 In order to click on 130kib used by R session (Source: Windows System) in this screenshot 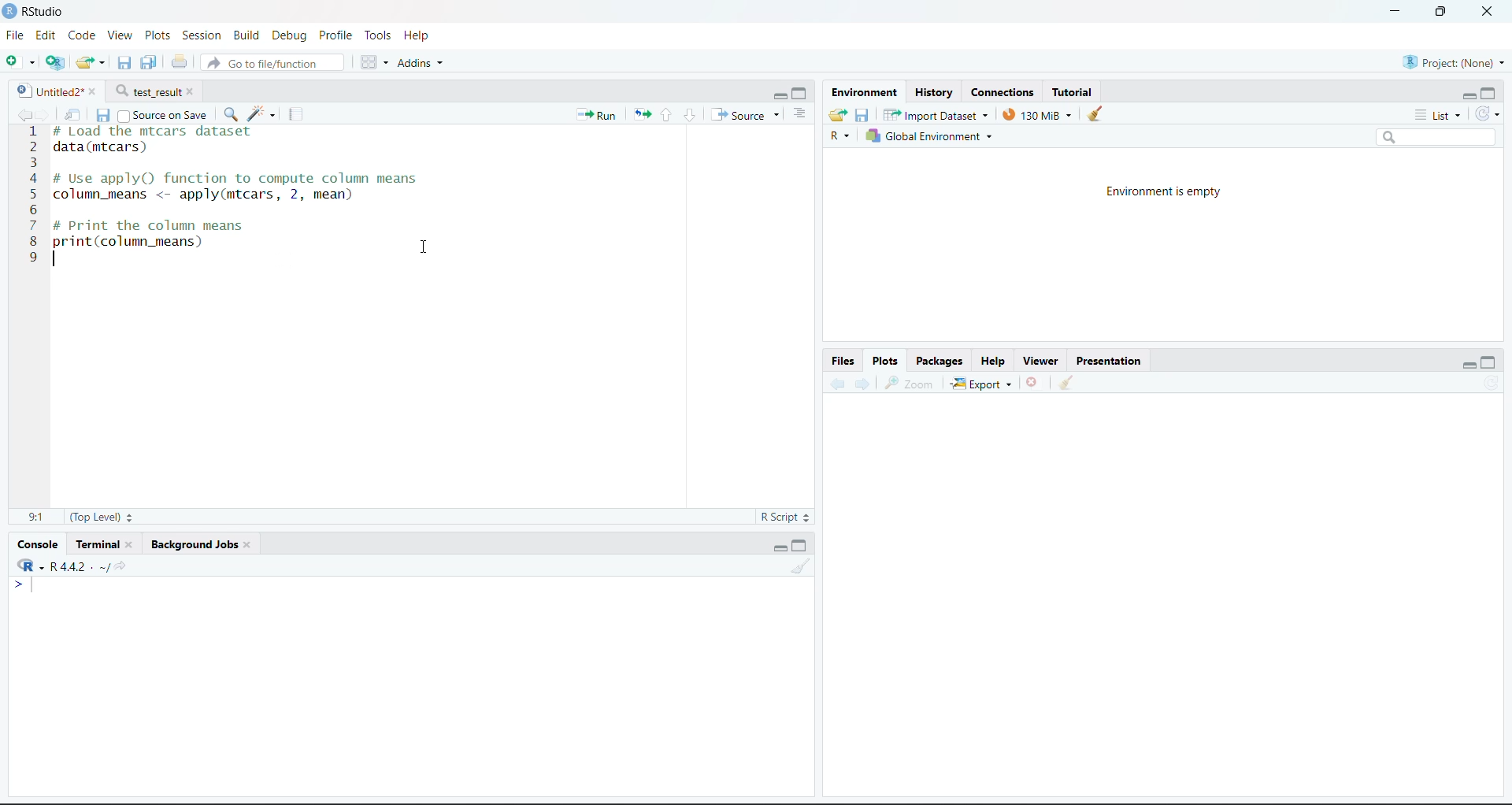, I will do `click(1038, 115)`.